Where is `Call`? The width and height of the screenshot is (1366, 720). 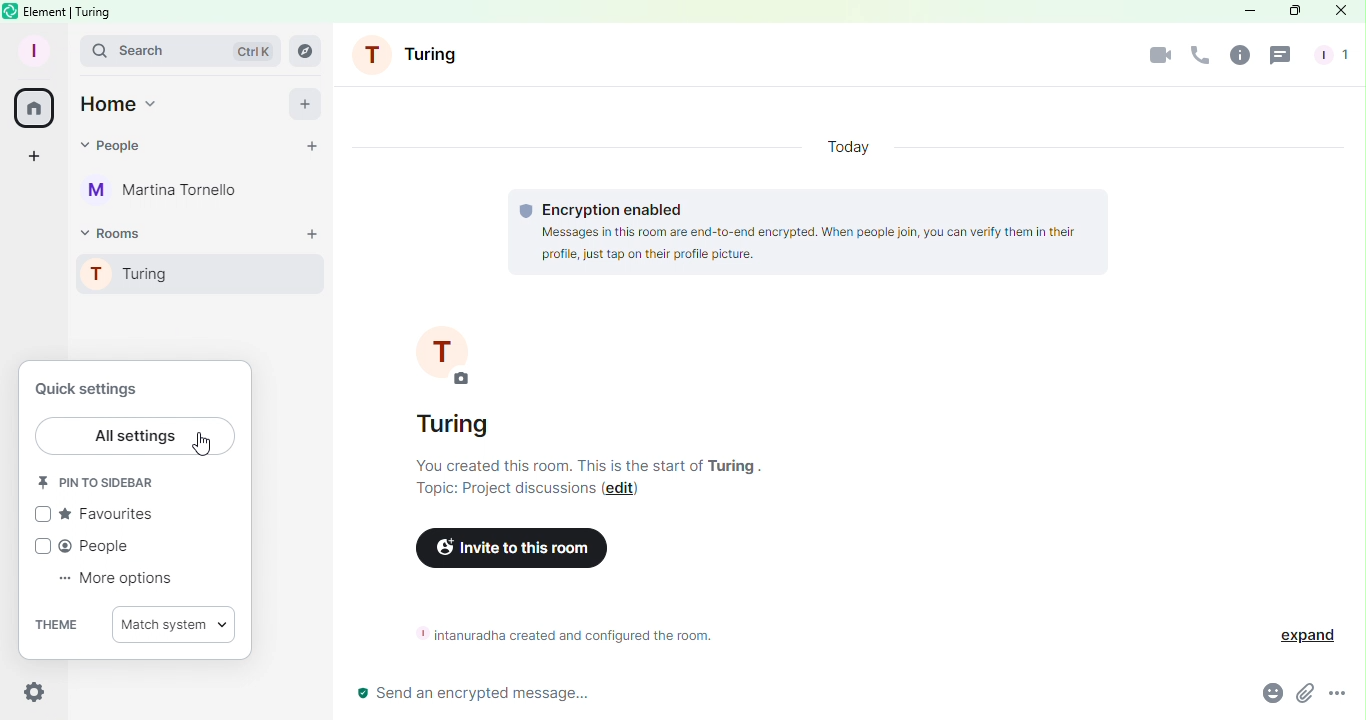 Call is located at coordinates (1198, 60).